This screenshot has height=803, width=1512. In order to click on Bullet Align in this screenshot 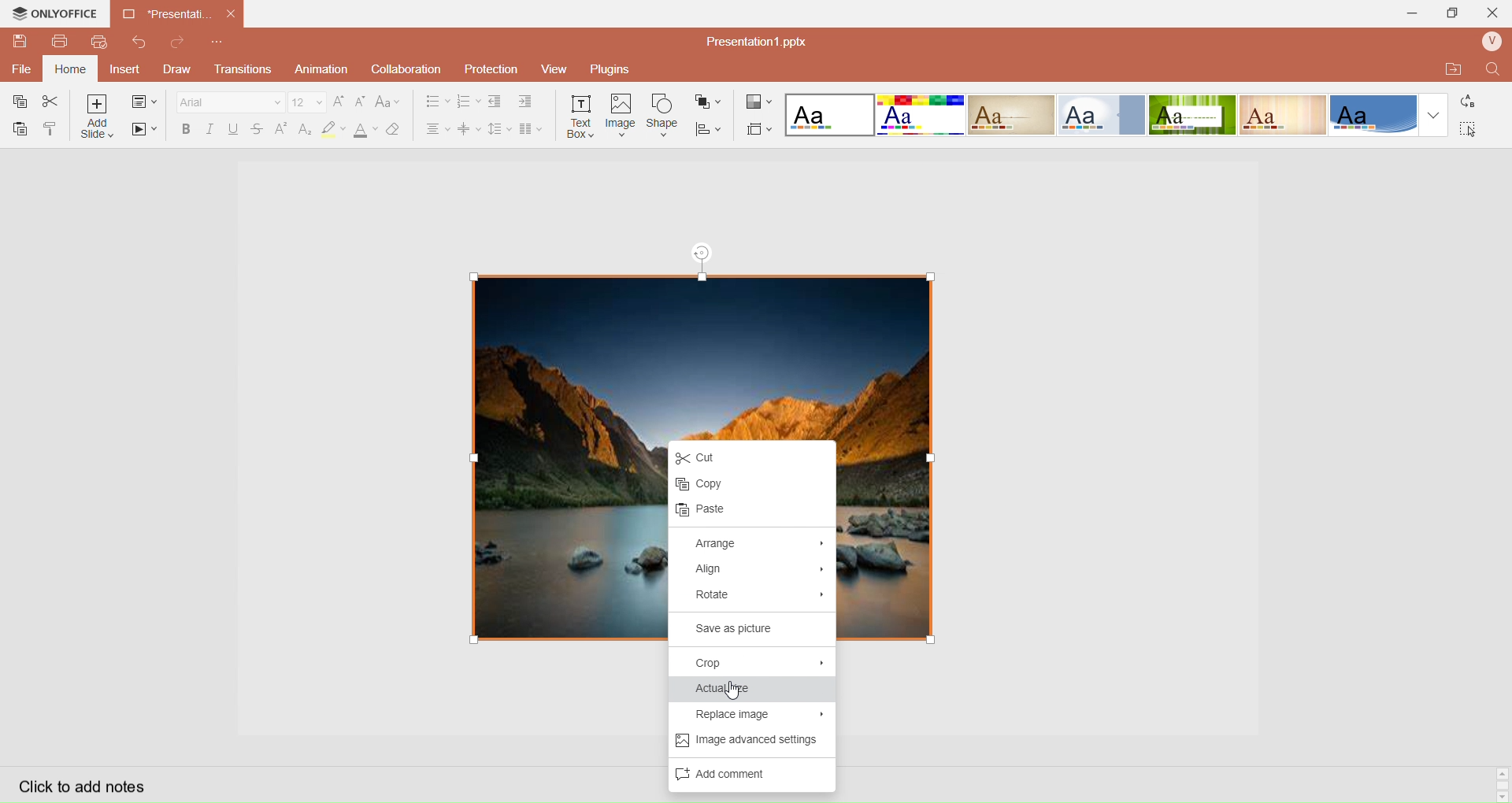, I will do `click(436, 102)`.